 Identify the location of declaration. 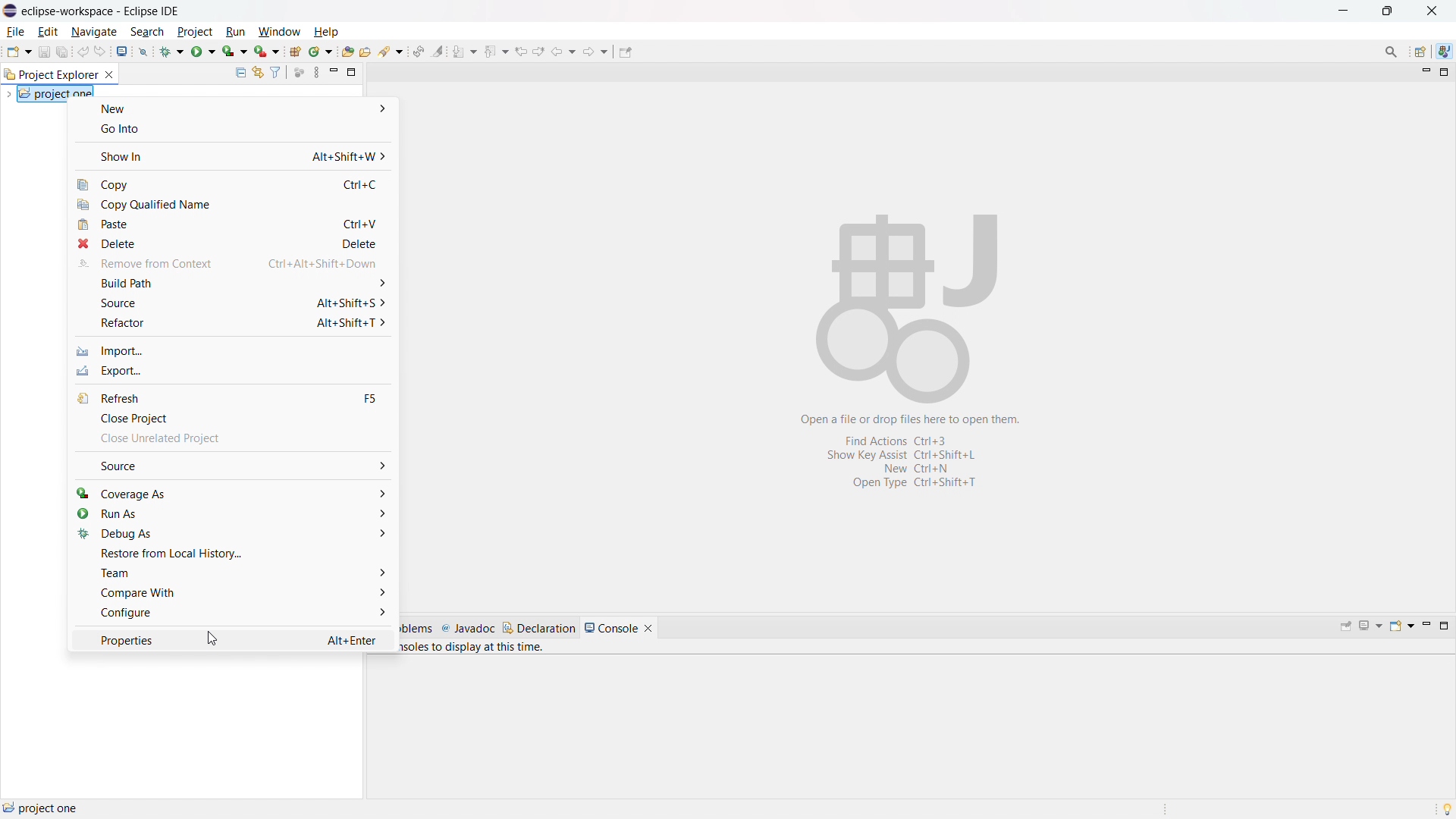
(539, 628).